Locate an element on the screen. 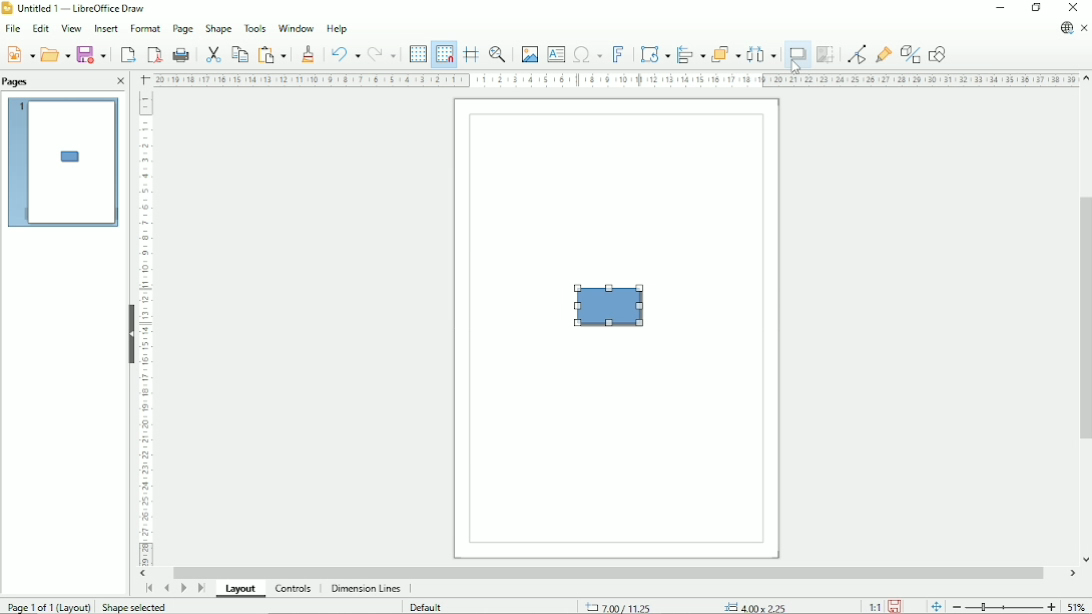 The image size is (1092, 614). Default is located at coordinates (429, 606).